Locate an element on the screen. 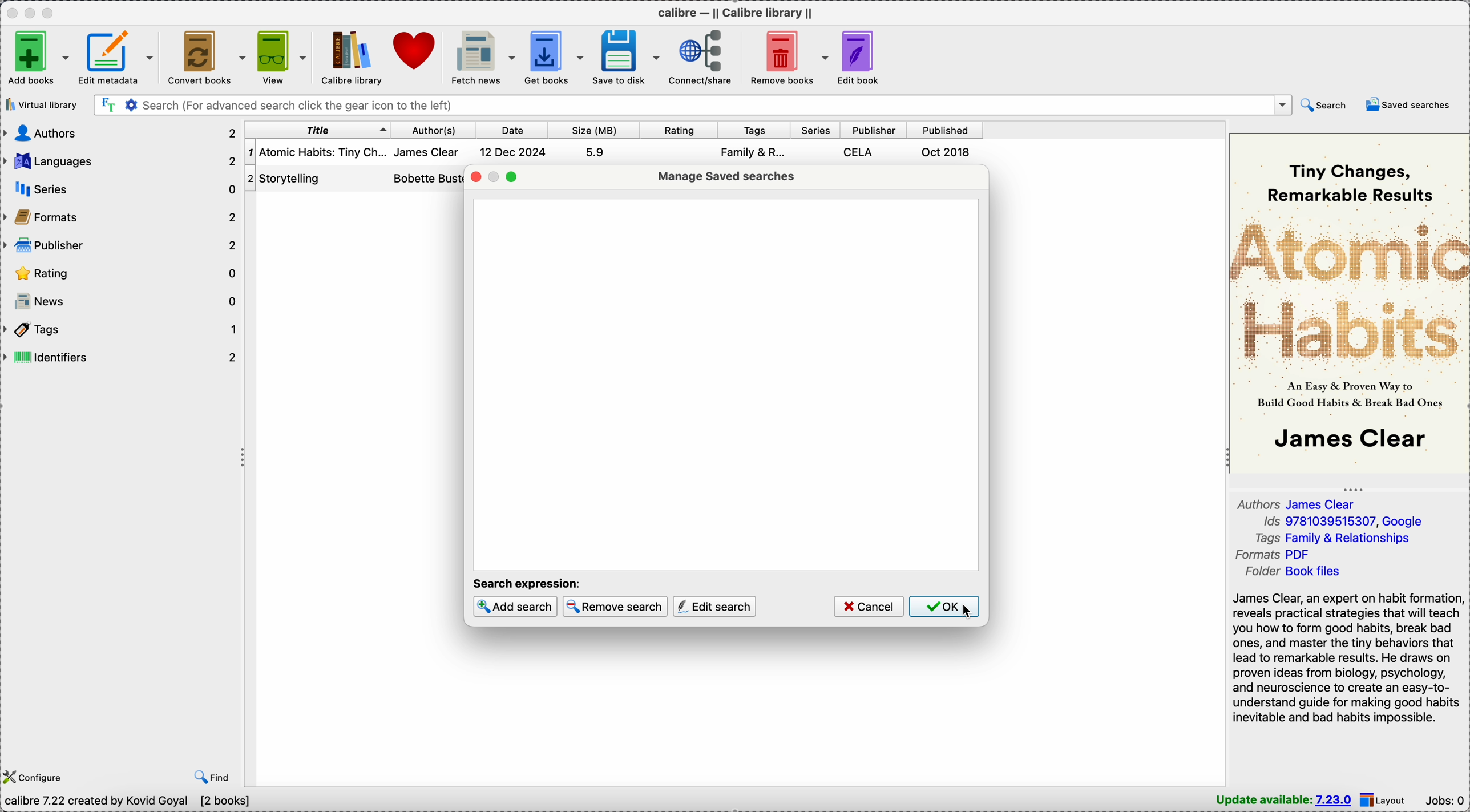 This screenshot has height=812, width=1470. jobs: 0 is located at coordinates (1446, 802).